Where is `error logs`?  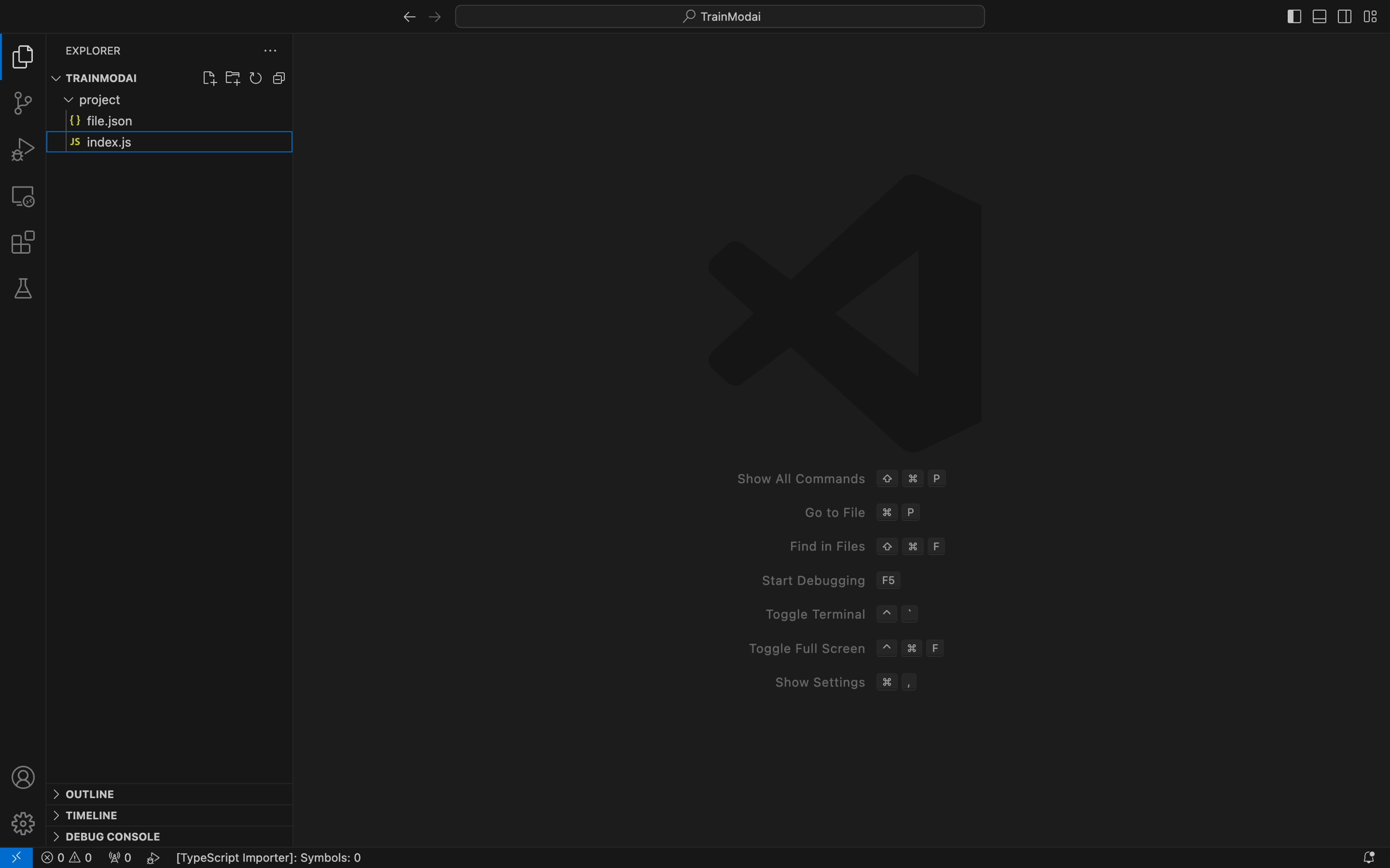
error logs is located at coordinates (68, 858).